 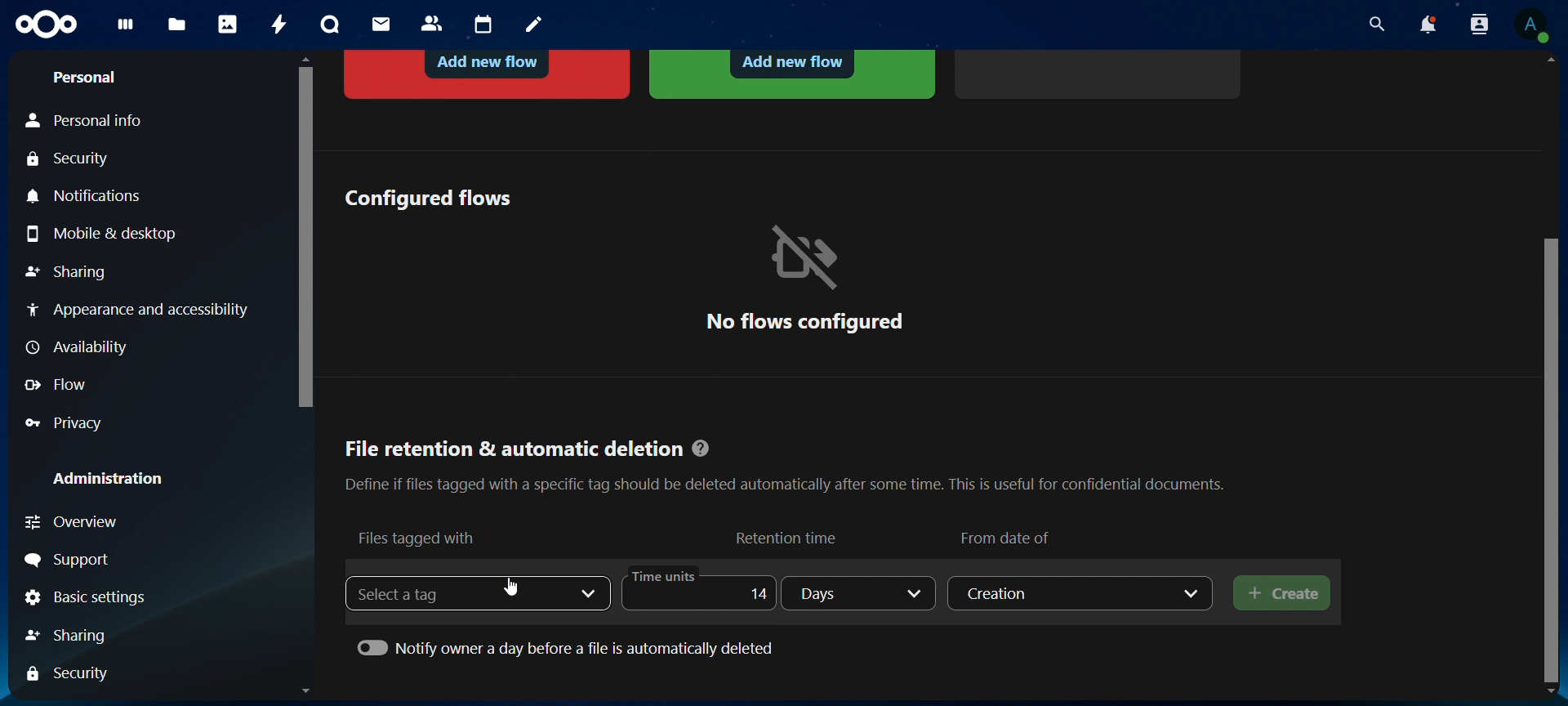 What do you see at coordinates (81, 349) in the screenshot?
I see `availabilty` at bounding box center [81, 349].